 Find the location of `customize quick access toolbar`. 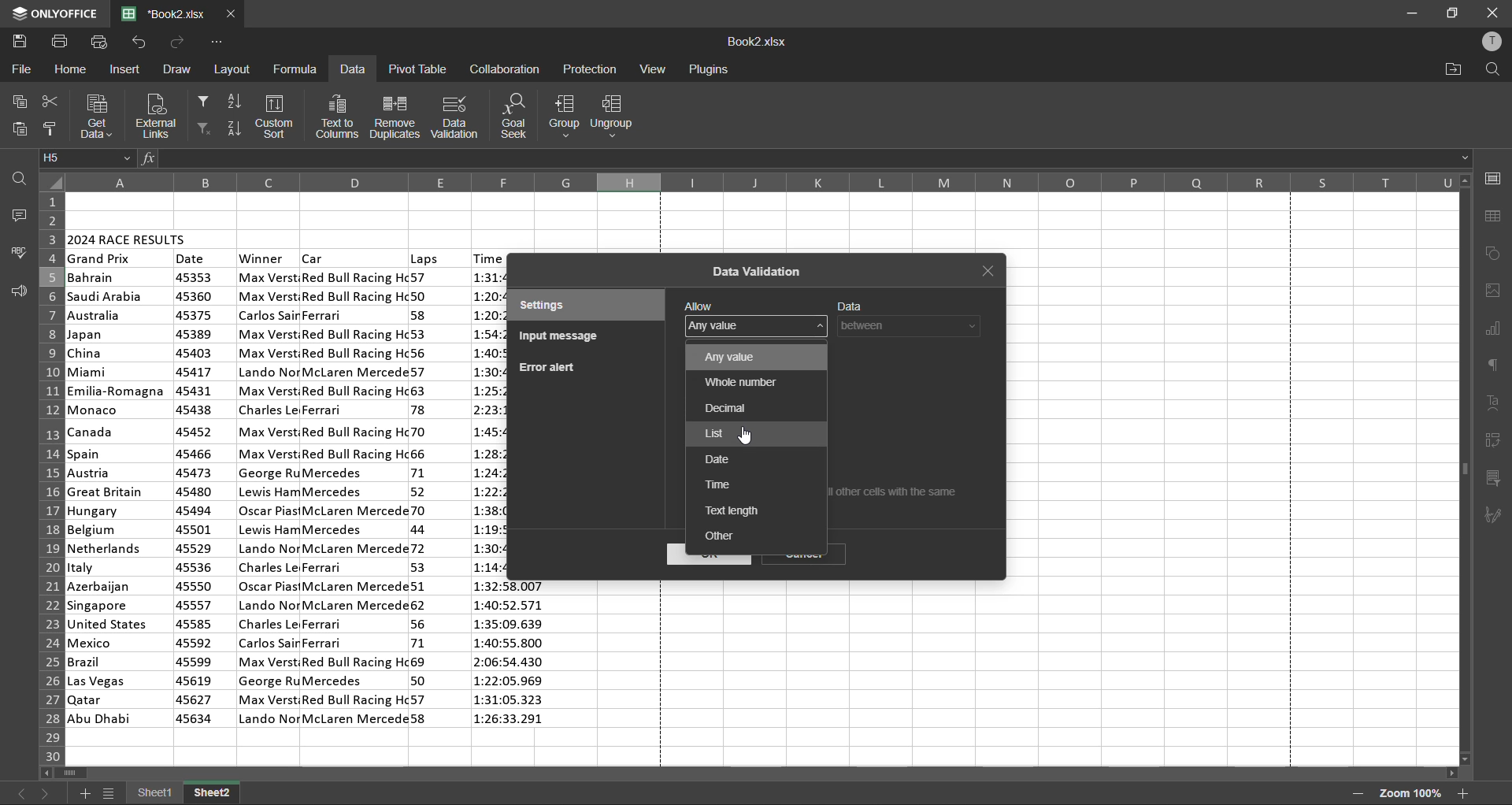

customize quick access toolbar is located at coordinates (215, 43).